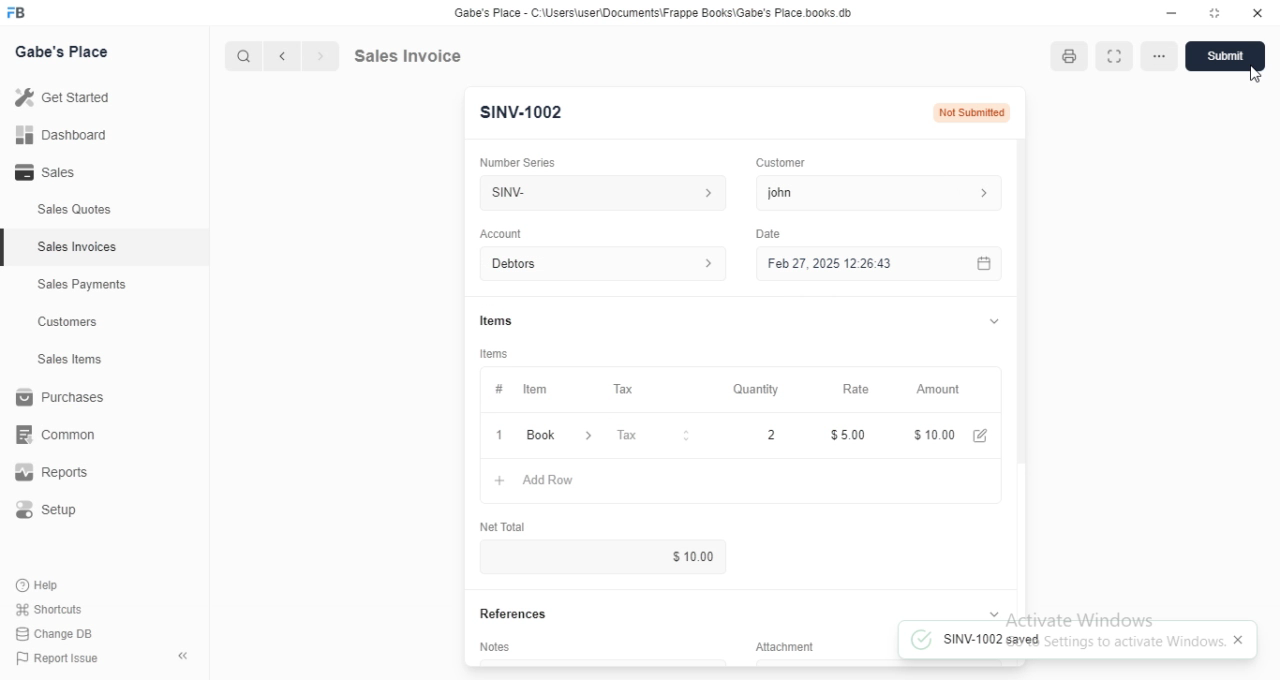  Describe the element at coordinates (499, 389) in the screenshot. I see `#` at that location.